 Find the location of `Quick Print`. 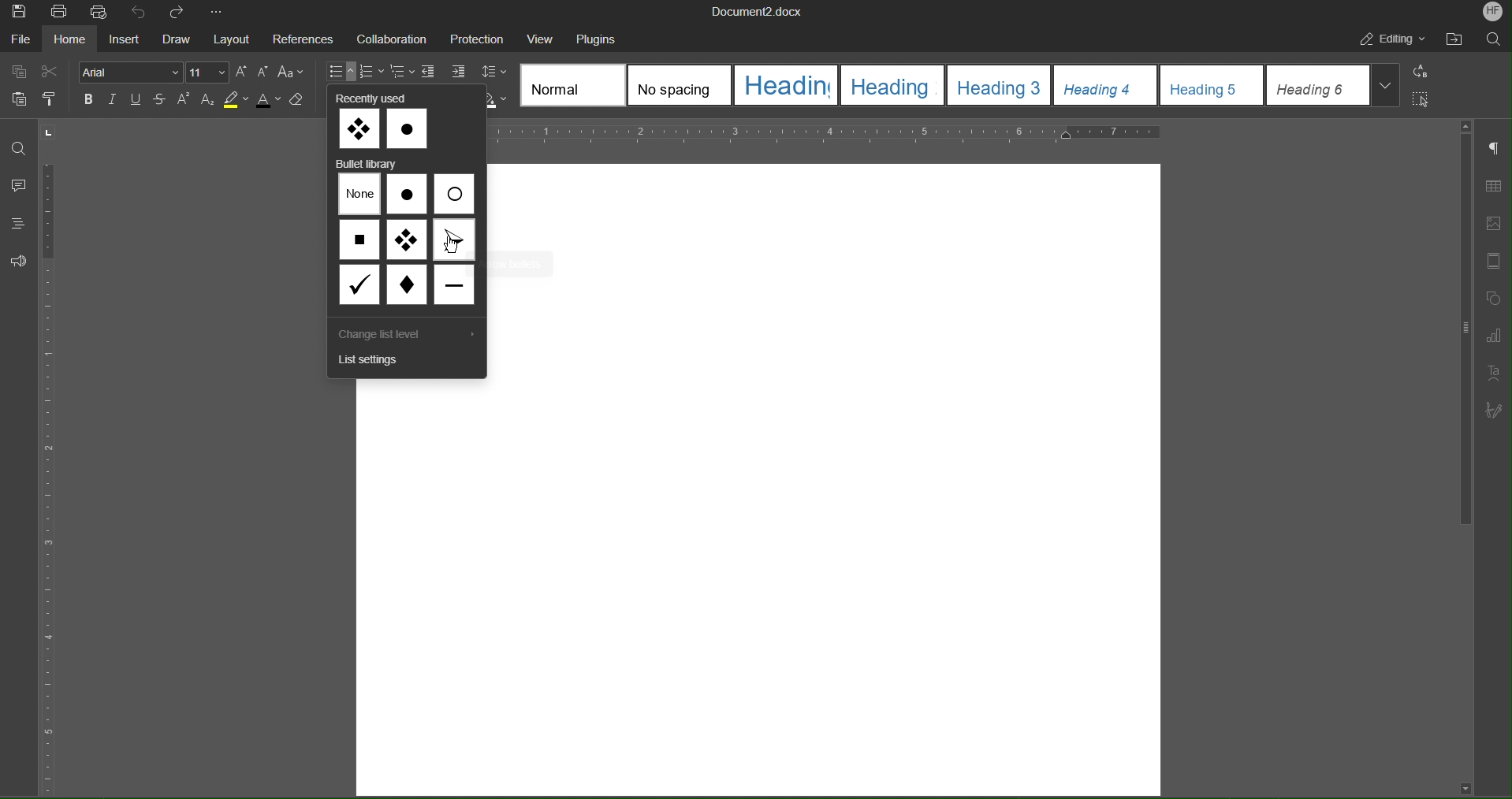

Quick Print is located at coordinates (102, 14).